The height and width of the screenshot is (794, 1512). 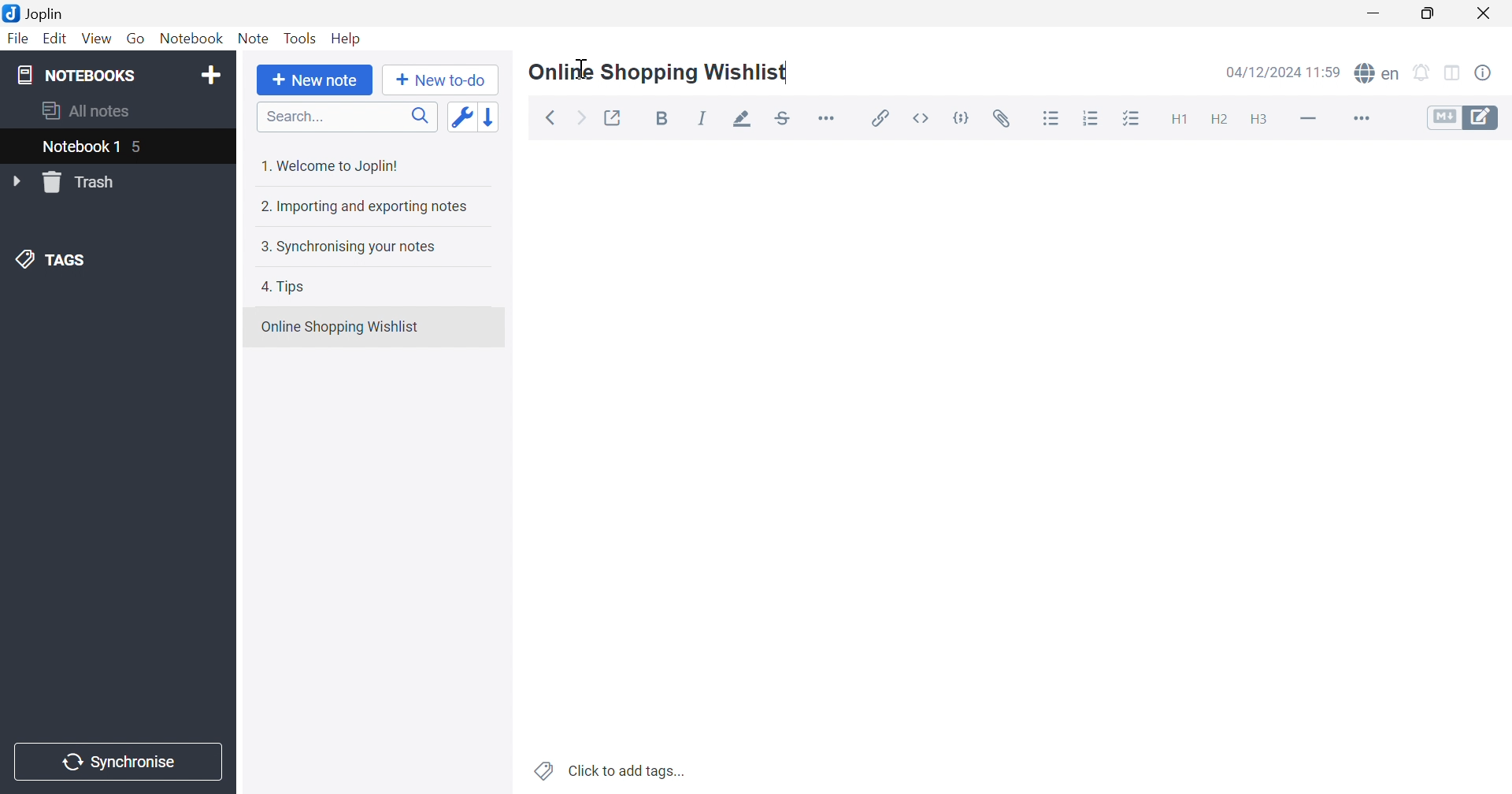 What do you see at coordinates (91, 145) in the screenshot?
I see `Notebook 1` at bounding box center [91, 145].